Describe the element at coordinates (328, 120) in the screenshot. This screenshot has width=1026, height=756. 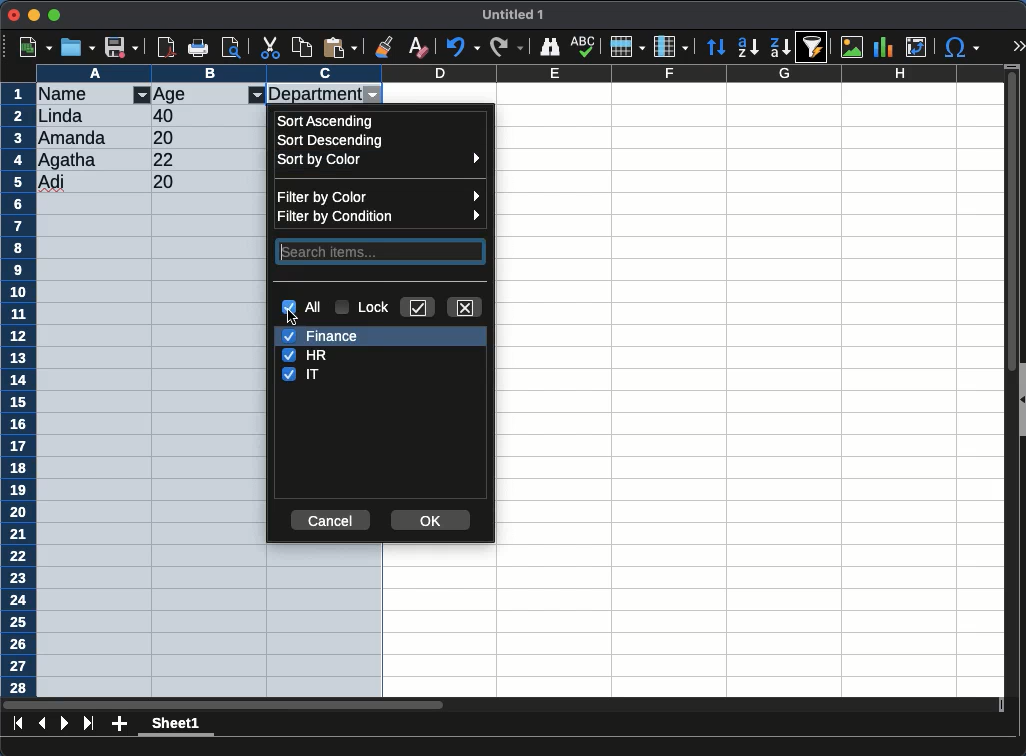
I see `ascending` at that location.